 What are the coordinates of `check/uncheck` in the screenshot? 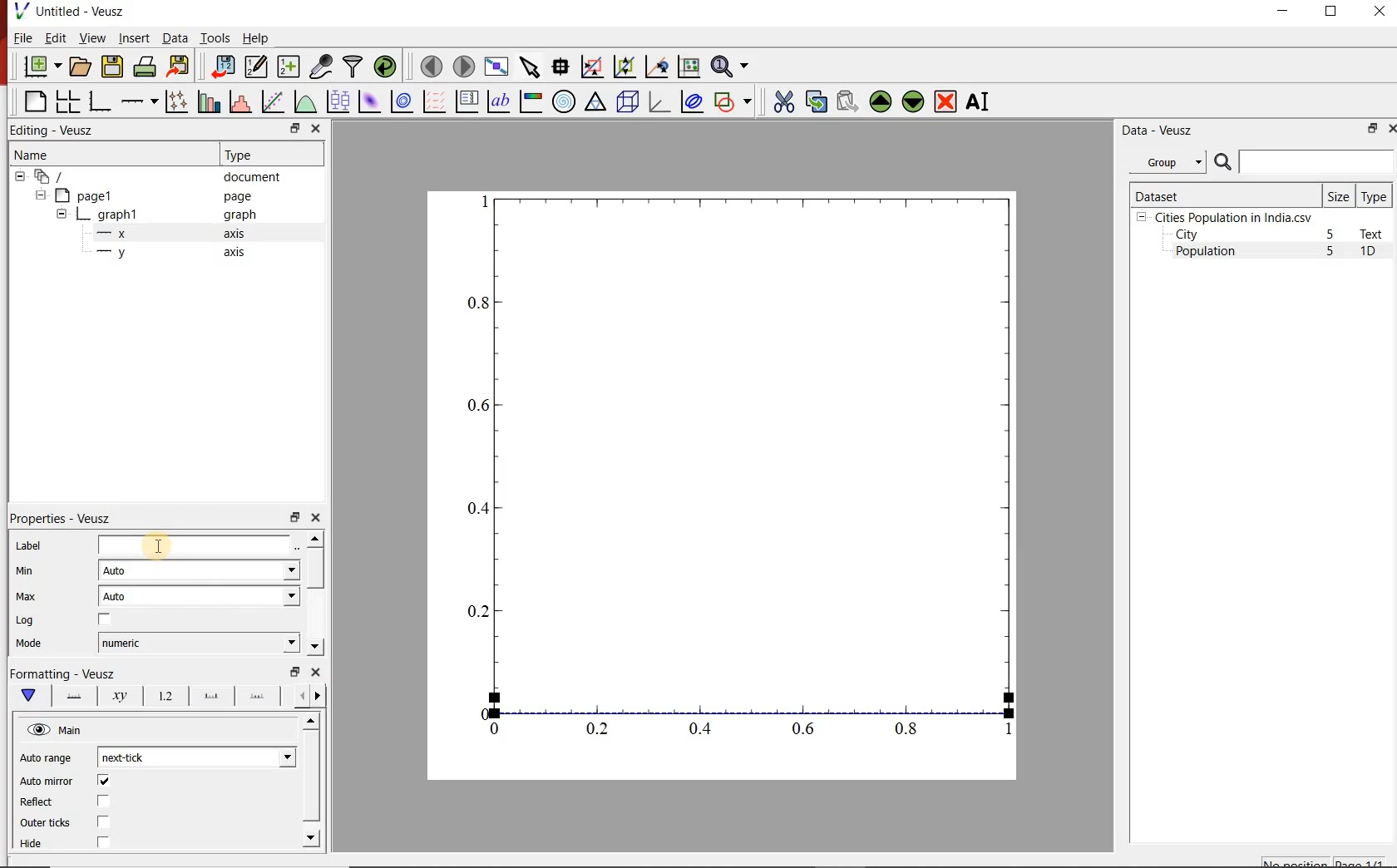 It's located at (104, 801).